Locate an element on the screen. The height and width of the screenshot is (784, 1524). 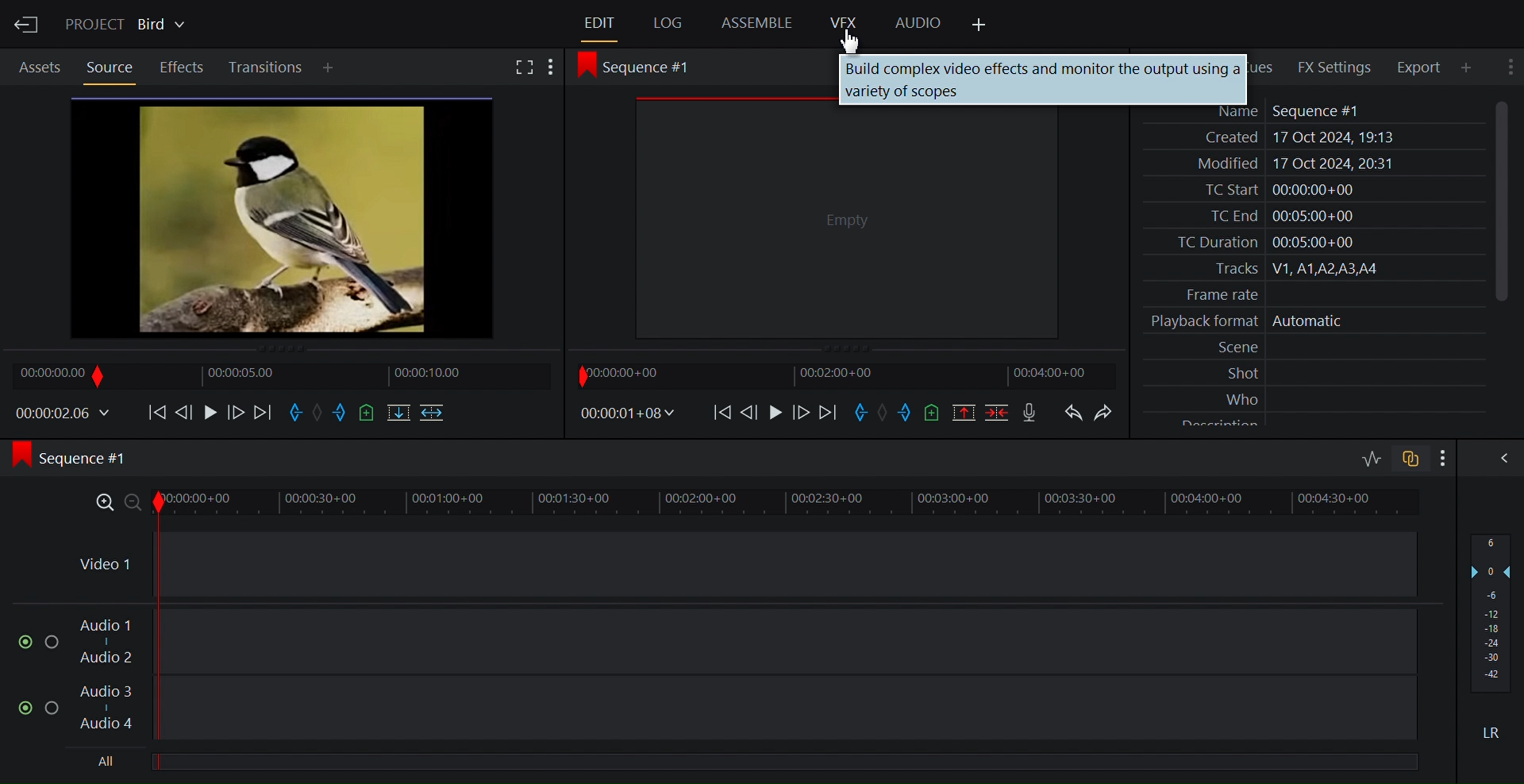
Show source clips is located at coordinates (279, 217).